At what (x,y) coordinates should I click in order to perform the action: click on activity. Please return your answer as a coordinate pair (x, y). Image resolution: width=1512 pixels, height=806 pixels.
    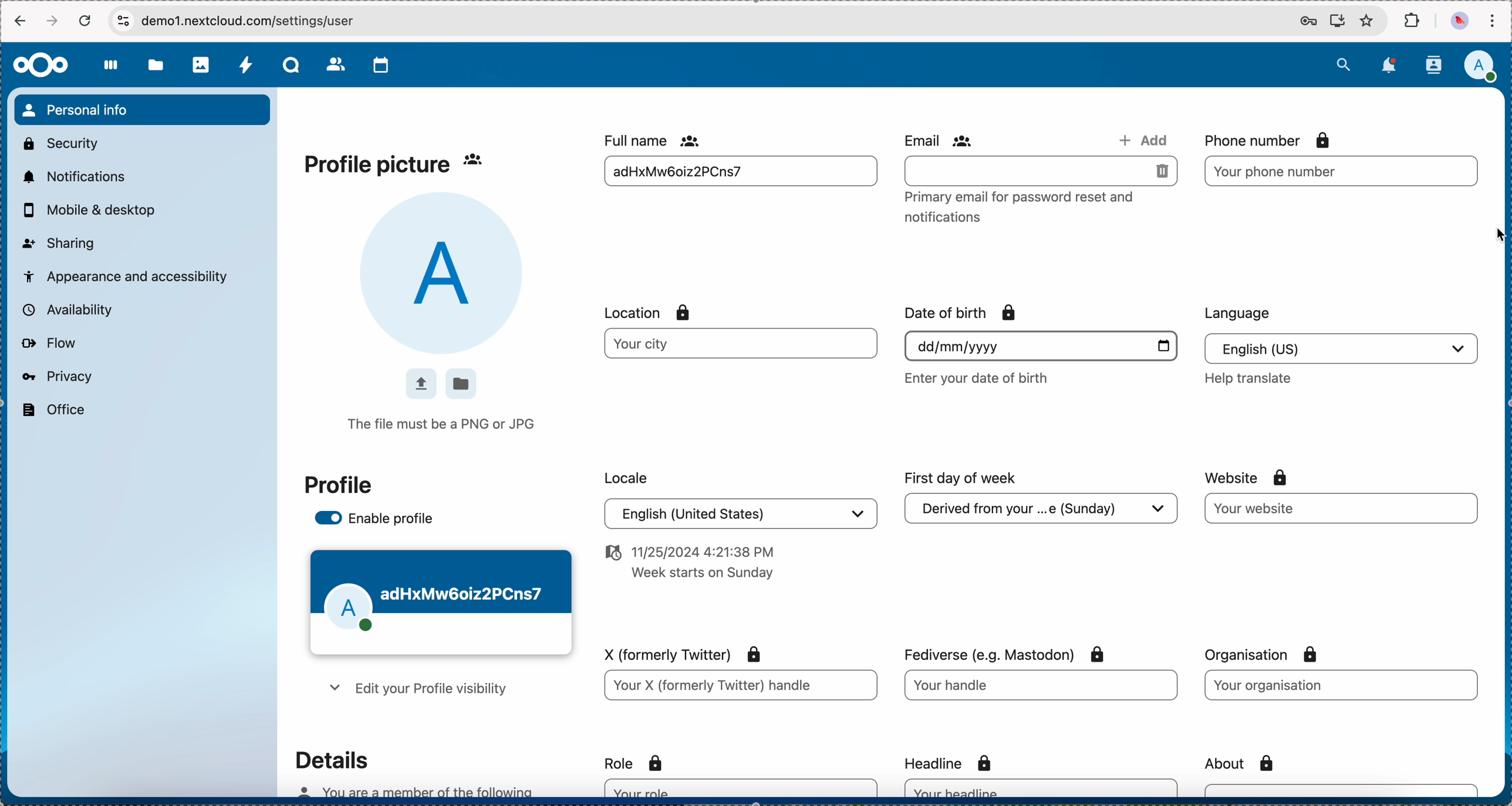
    Looking at the image, I should click on (247, 66).